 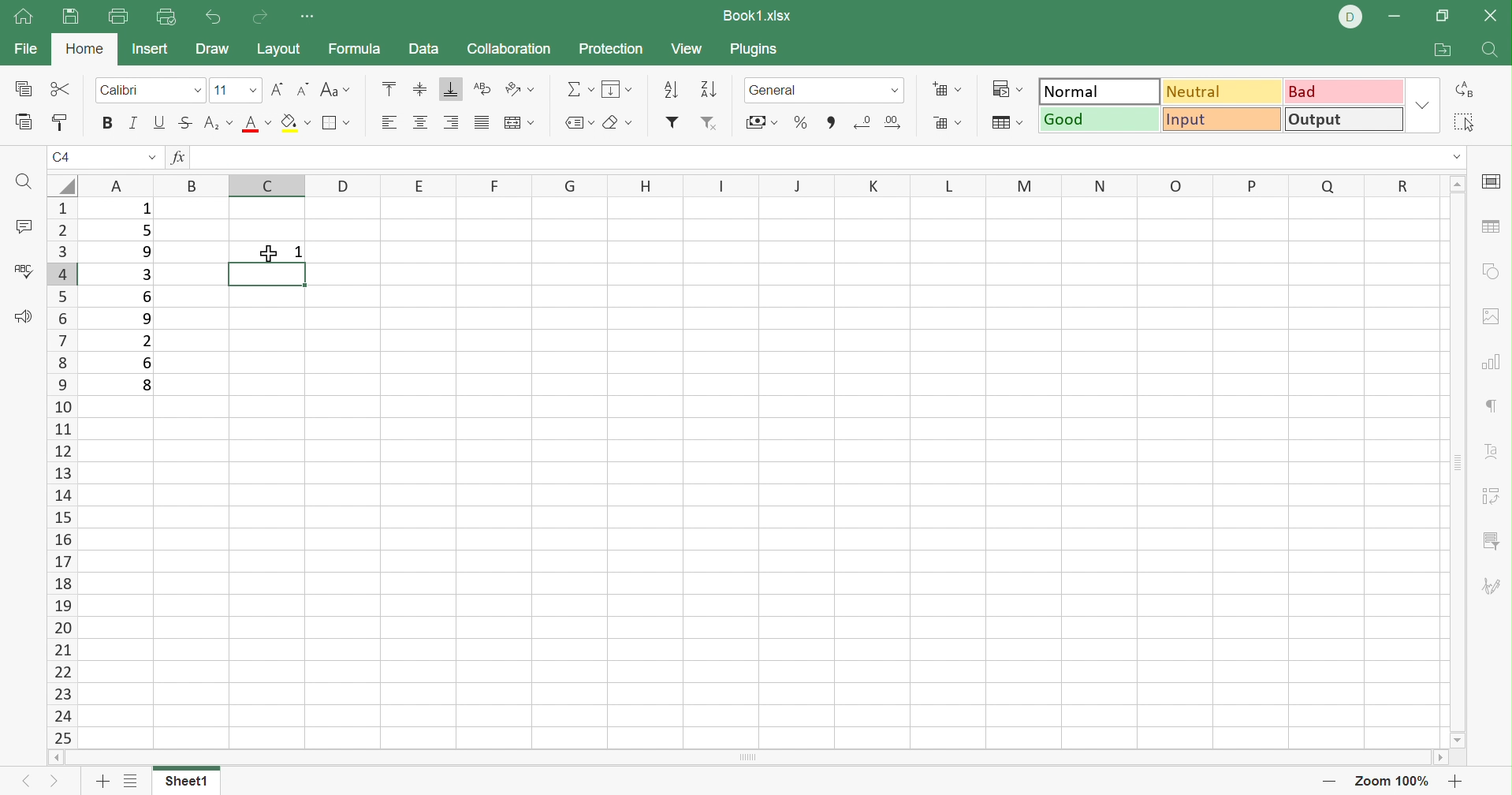 What do you see at coordinates (20, 125) in the screenshot?
I see `Paste` at bounding box center [20, 125].